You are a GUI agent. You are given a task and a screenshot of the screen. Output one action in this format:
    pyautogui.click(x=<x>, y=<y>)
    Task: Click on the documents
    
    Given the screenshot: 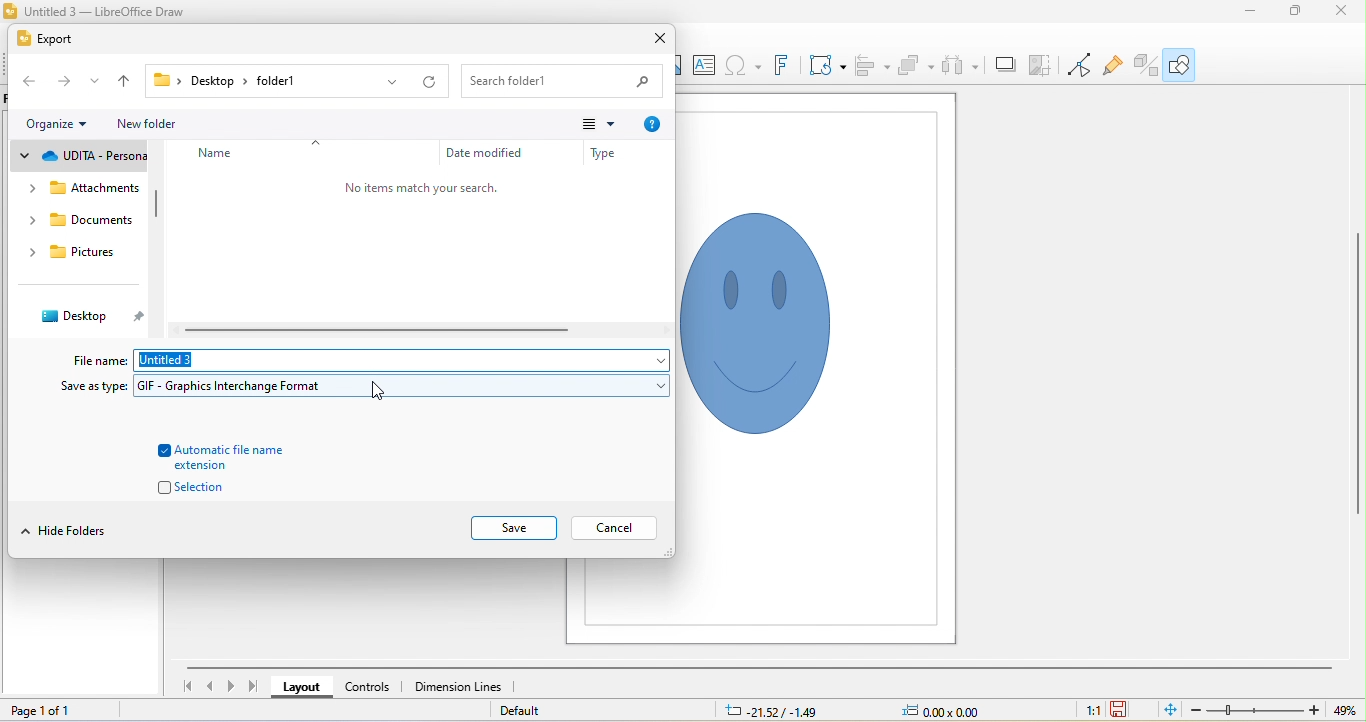 What is the action you would take?
    pyautogui.click(x=96, y=220)
    